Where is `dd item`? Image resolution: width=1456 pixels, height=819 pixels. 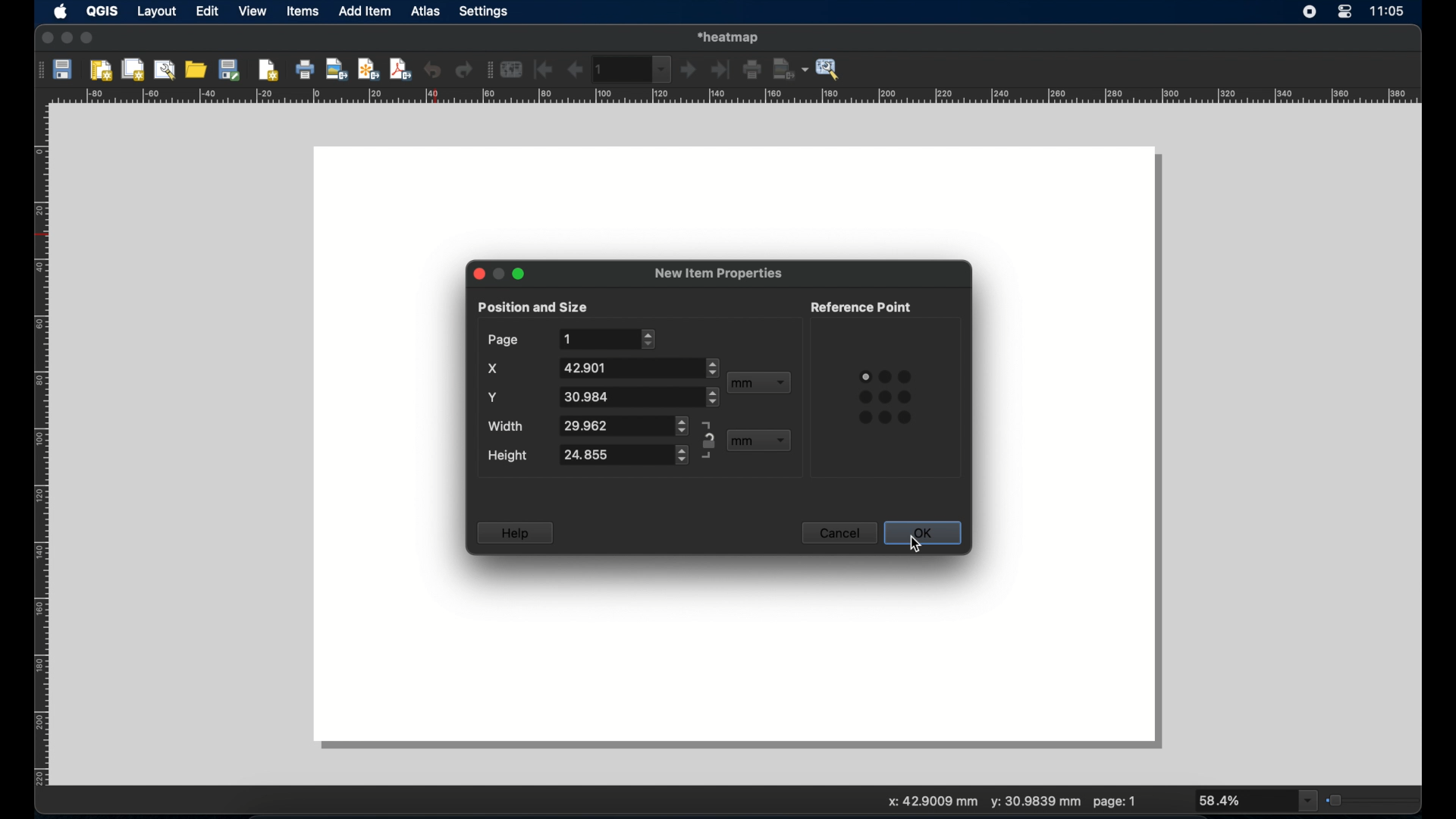 dd item is located at coordinates (366, 13).